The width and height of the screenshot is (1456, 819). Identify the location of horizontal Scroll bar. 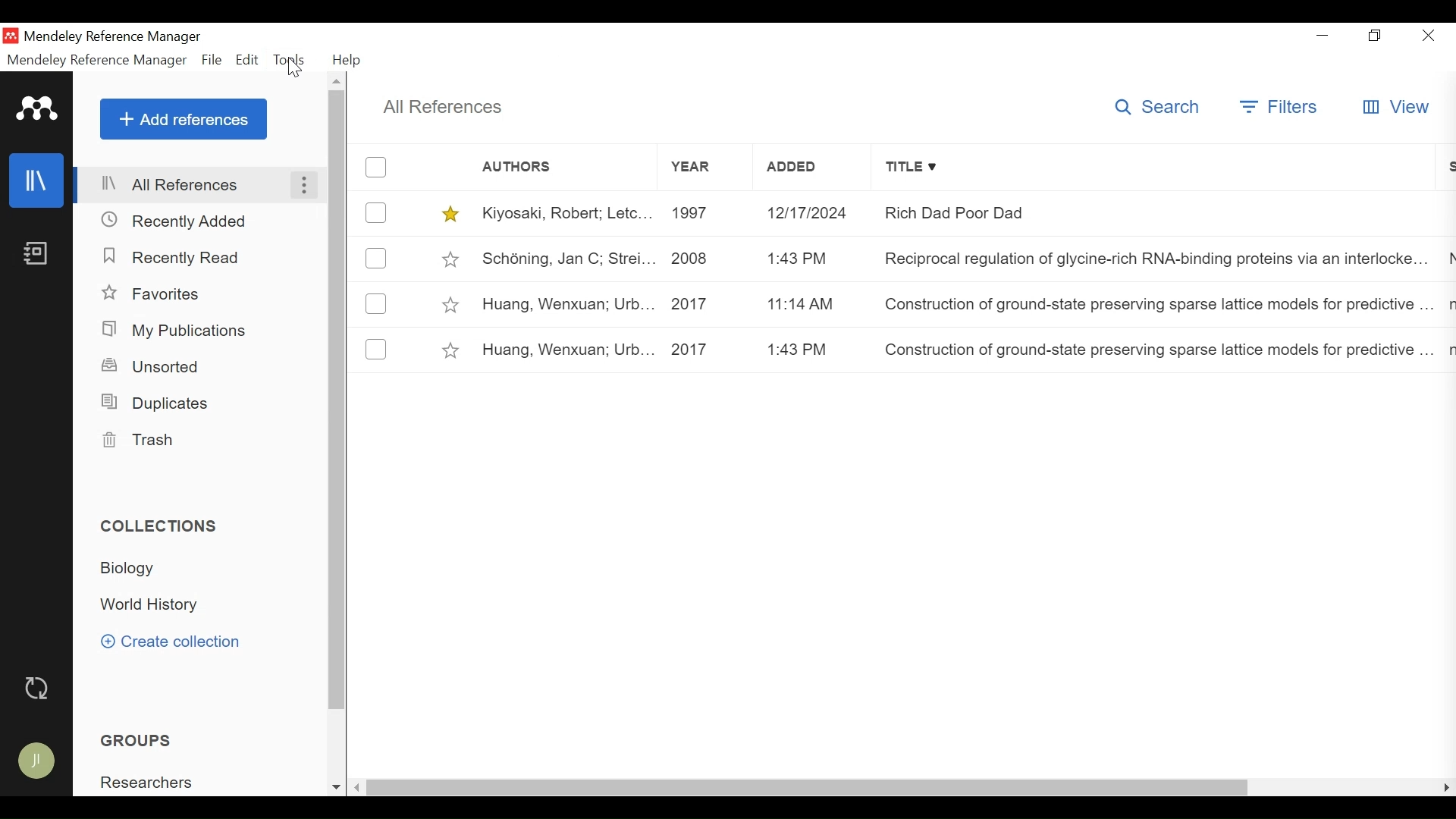
(808, 789).